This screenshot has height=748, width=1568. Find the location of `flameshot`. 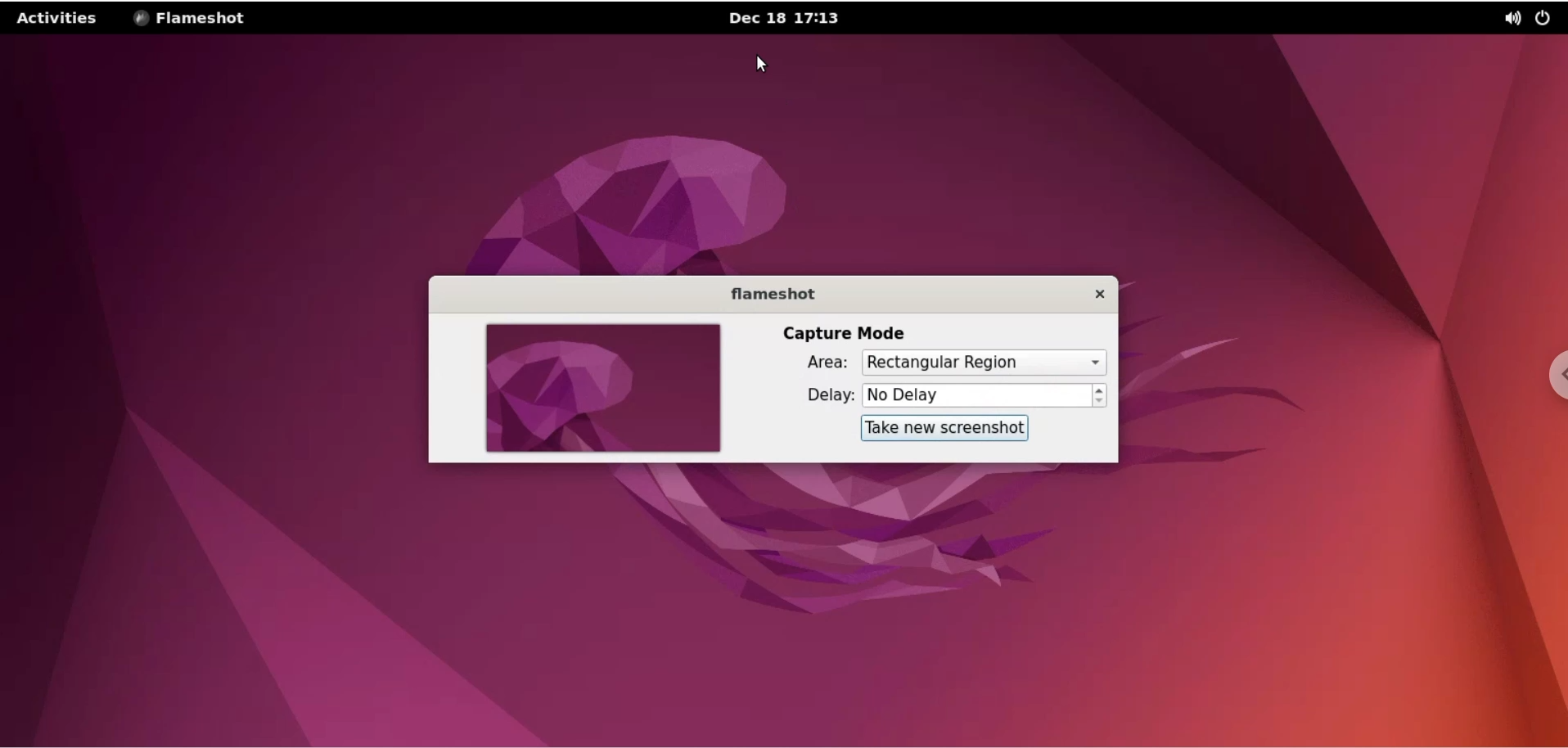

flameshot is located at coordinates (197, 19).